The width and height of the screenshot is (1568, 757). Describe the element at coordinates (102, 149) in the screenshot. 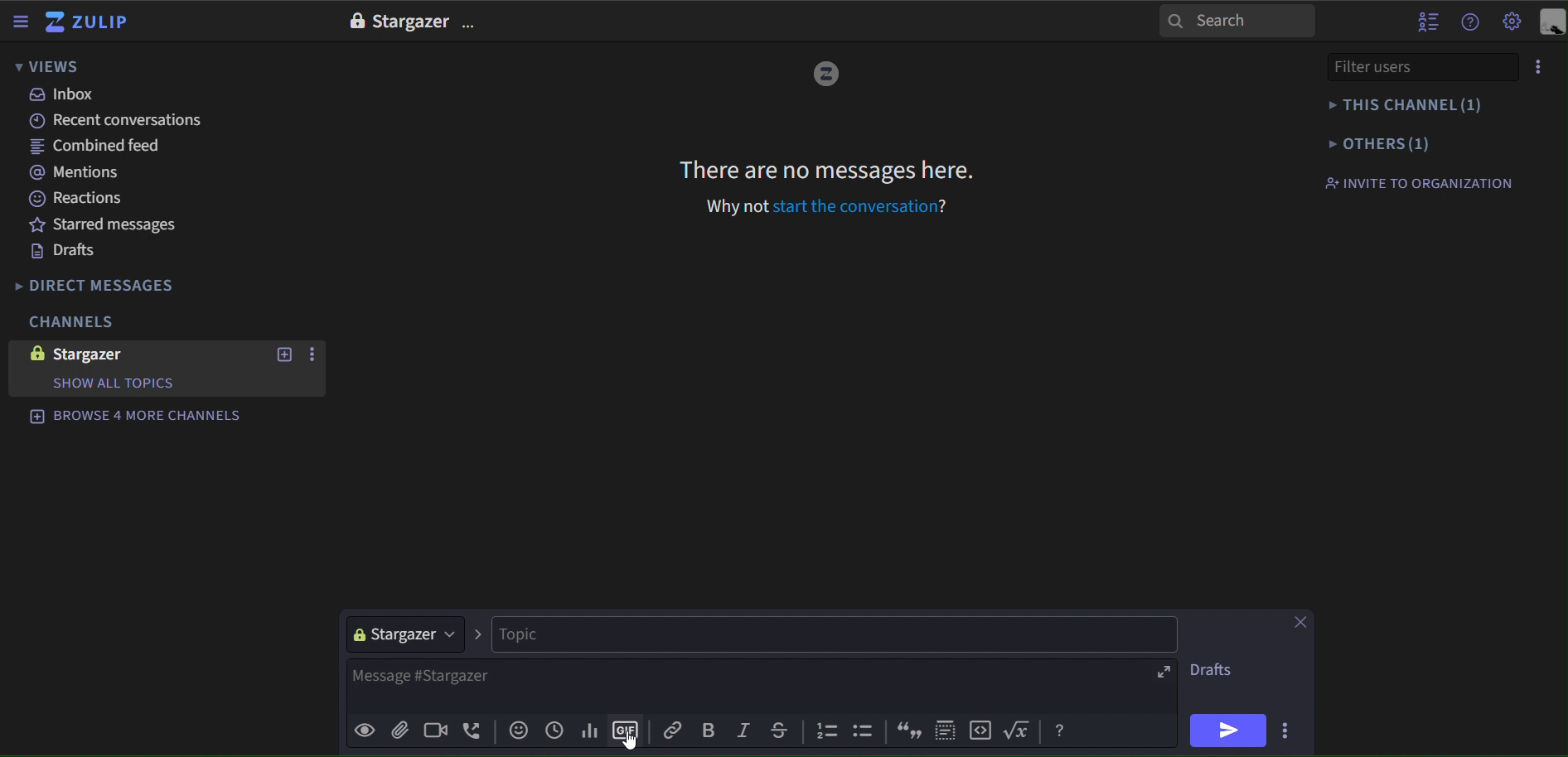

I see `combined feed` at that location.